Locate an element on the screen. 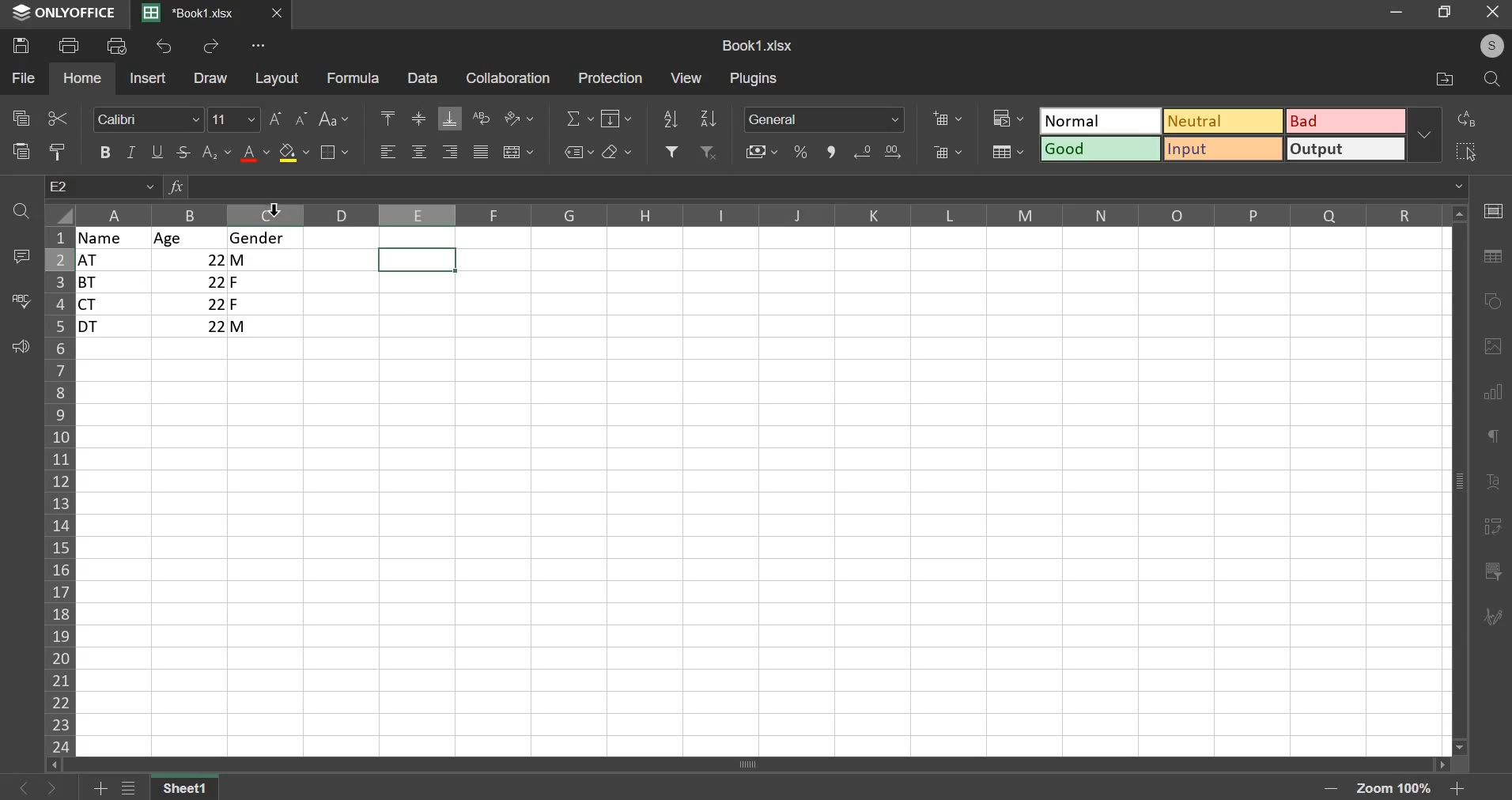 The image size is (1512, 800). copy is located at coordinates (21, 116).